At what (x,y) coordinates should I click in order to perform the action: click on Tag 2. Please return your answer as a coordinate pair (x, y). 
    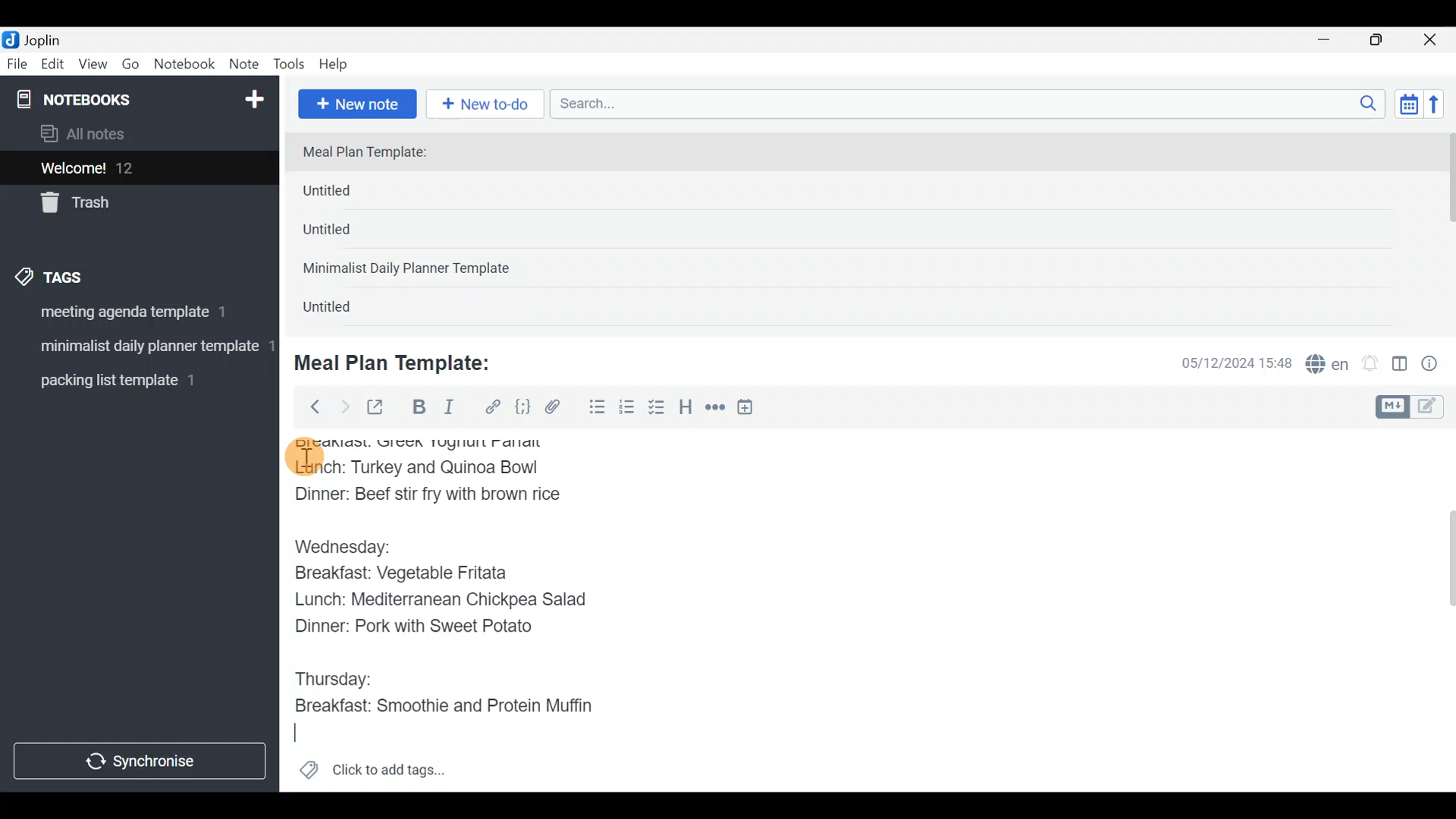
    Looking at the image, I should click on (139, 348).